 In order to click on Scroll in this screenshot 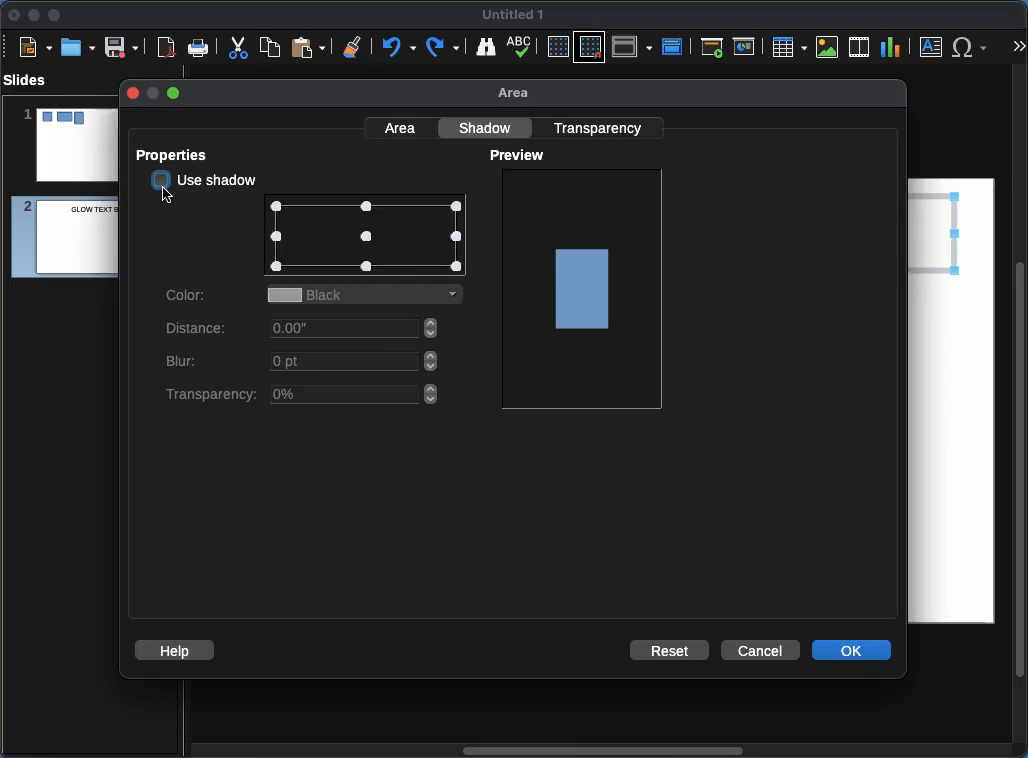, I will do `click(599, 752)`.